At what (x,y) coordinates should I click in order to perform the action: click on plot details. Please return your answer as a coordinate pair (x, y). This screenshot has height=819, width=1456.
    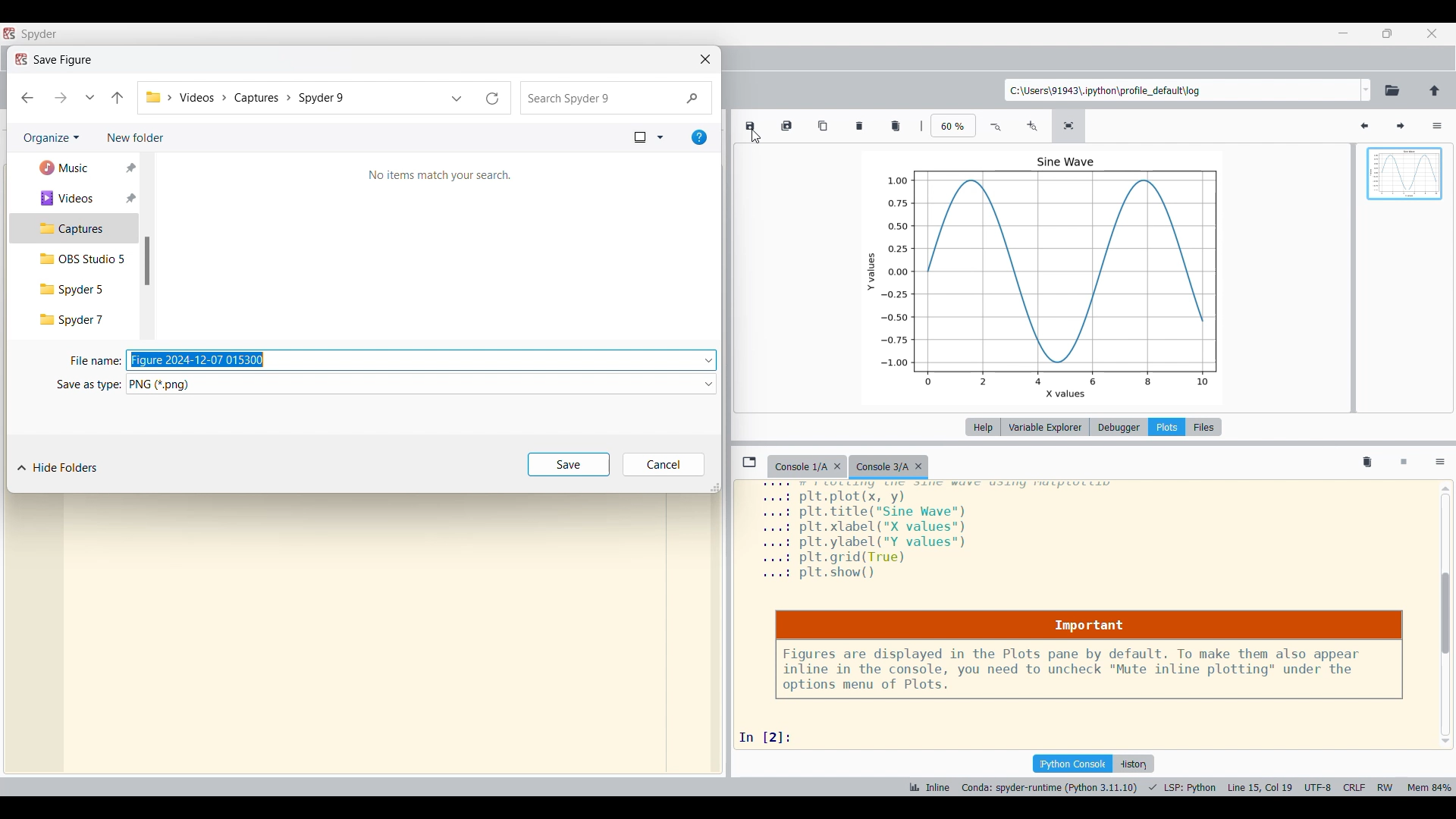
    Looking at the image, I should click on (944, 534).